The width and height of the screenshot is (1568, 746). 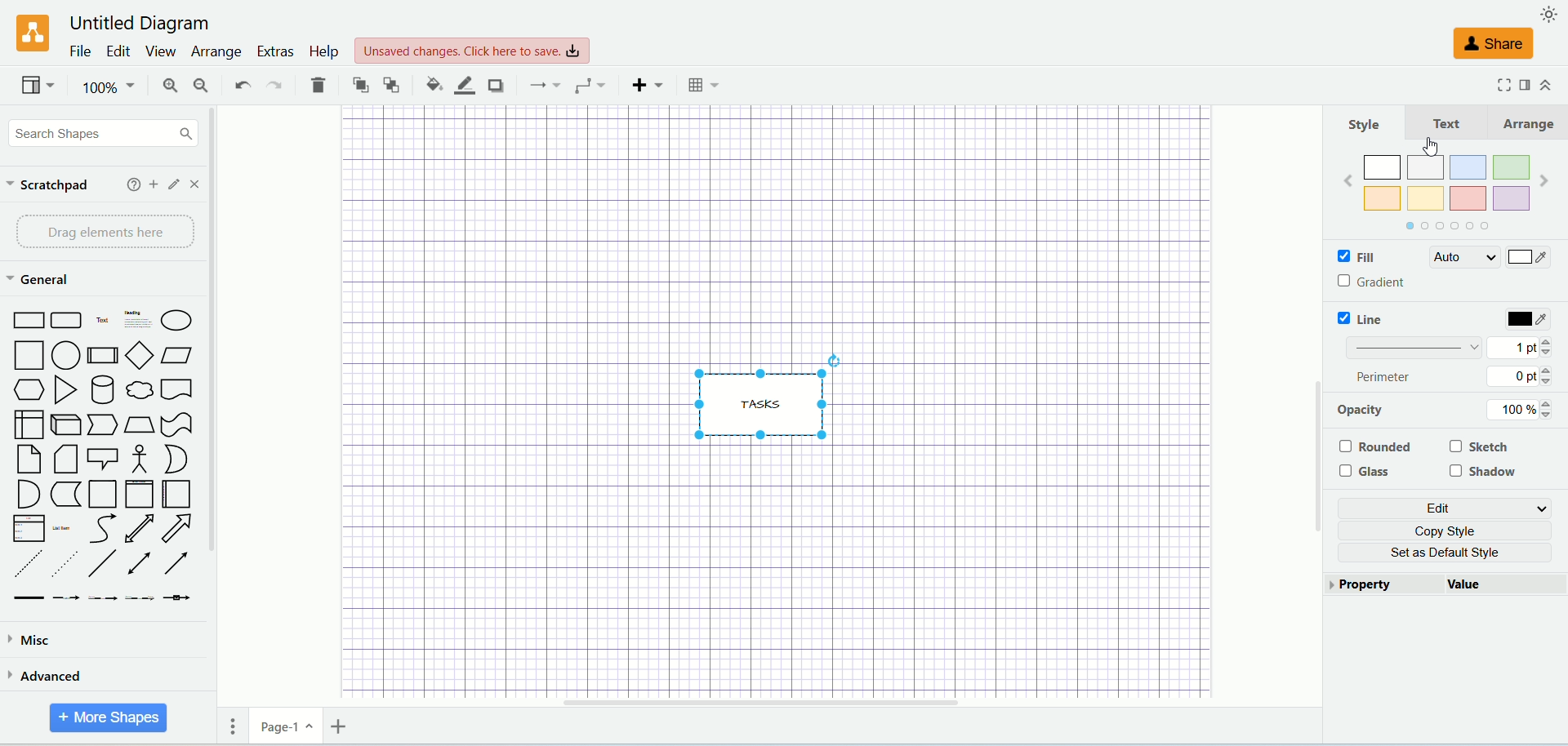 I want to click on collapse/expand, so click(x=1546, y=84).